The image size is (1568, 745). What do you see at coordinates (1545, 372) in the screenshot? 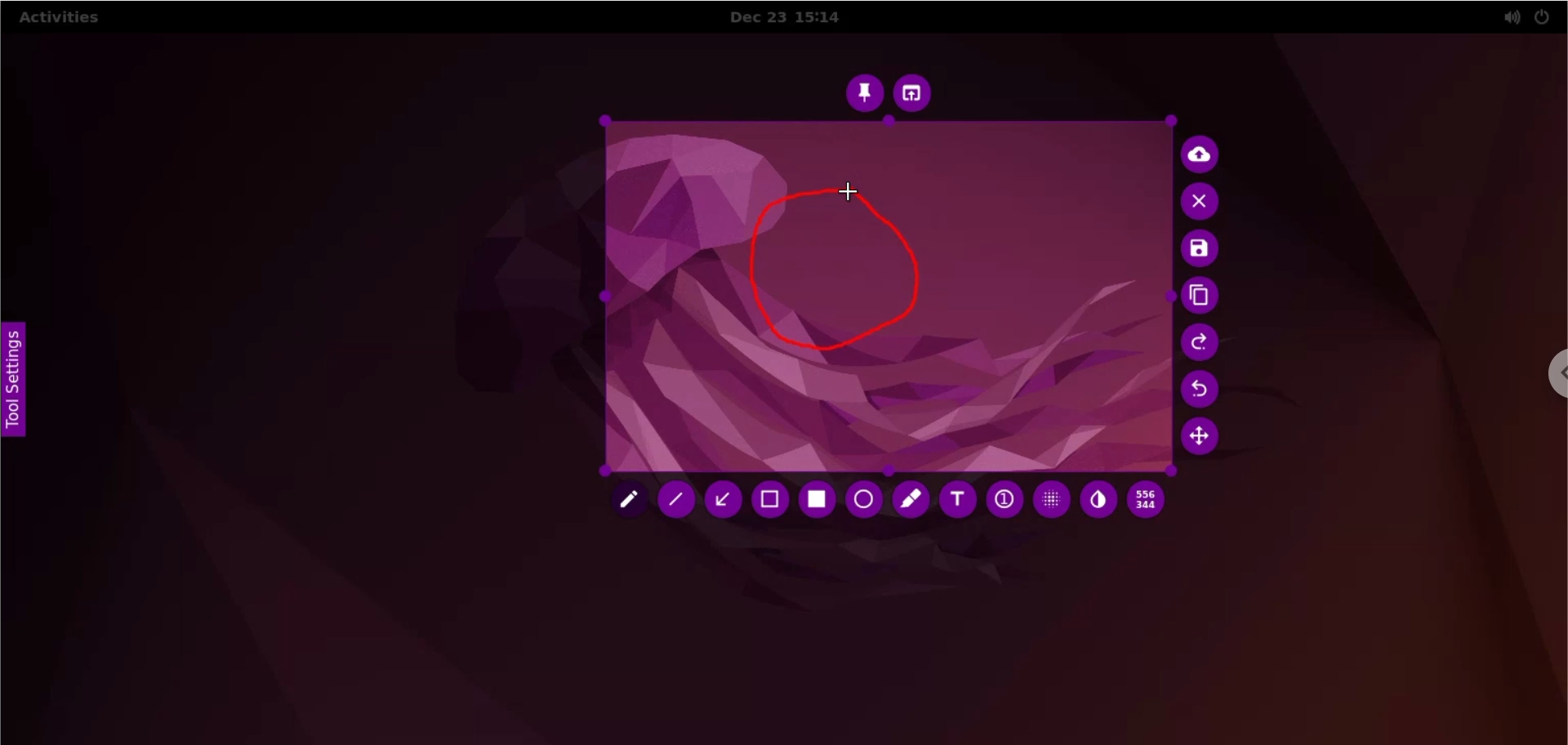
I see `chrome options` at bounding box center [1545, 372].